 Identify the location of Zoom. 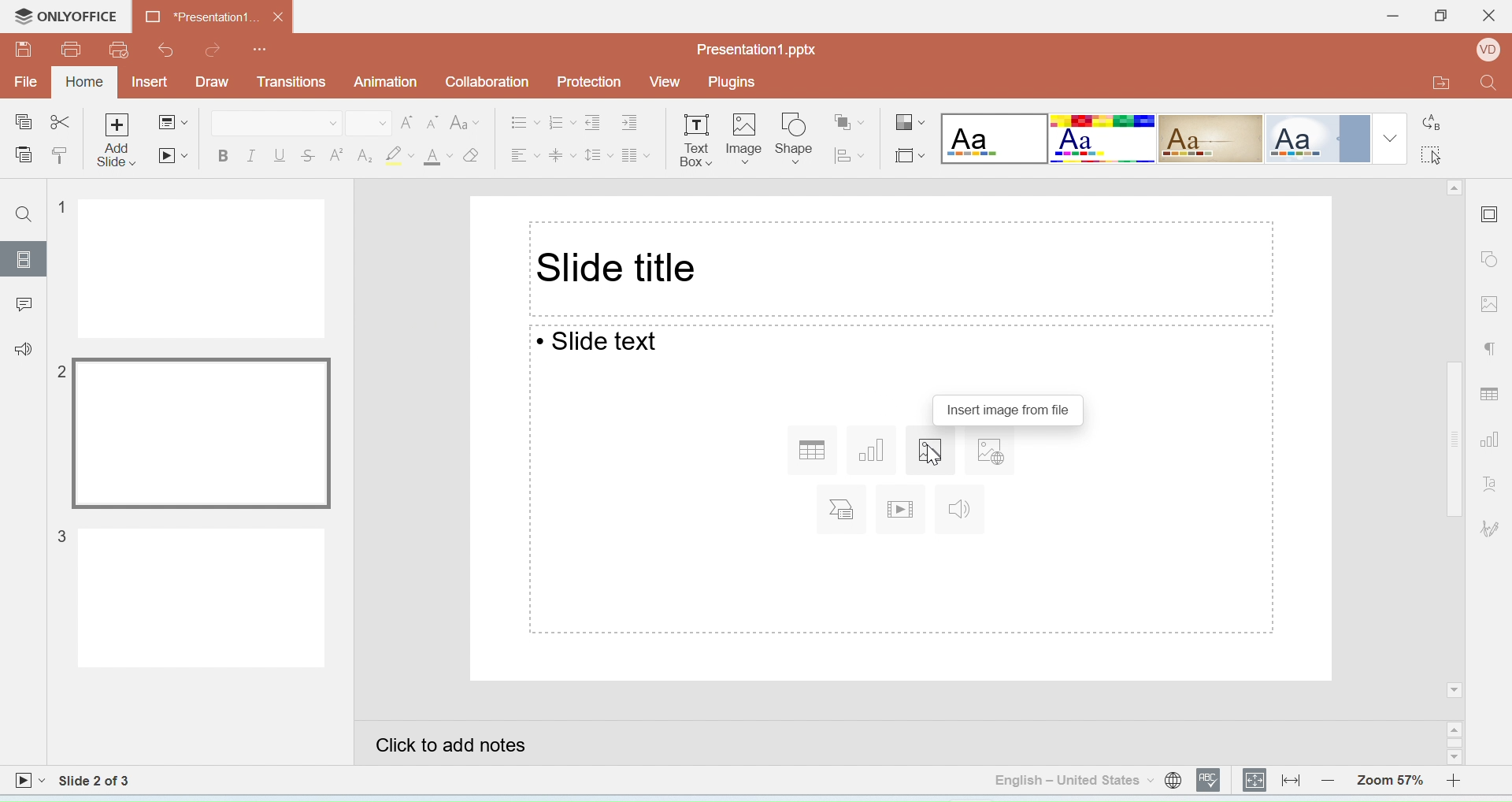
(1390, 778).